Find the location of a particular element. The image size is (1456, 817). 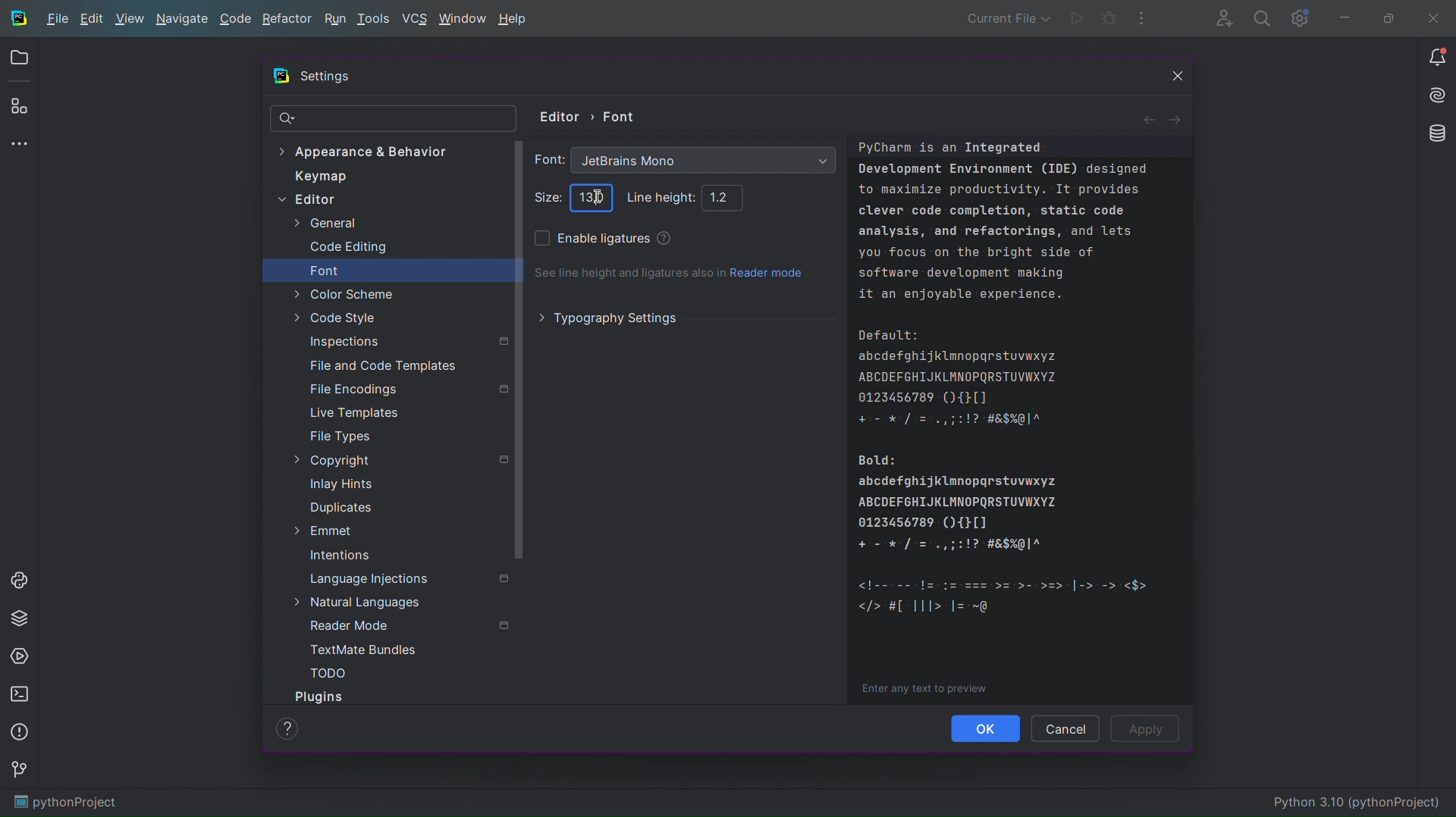

Logo is located at coordinates (18, 17).